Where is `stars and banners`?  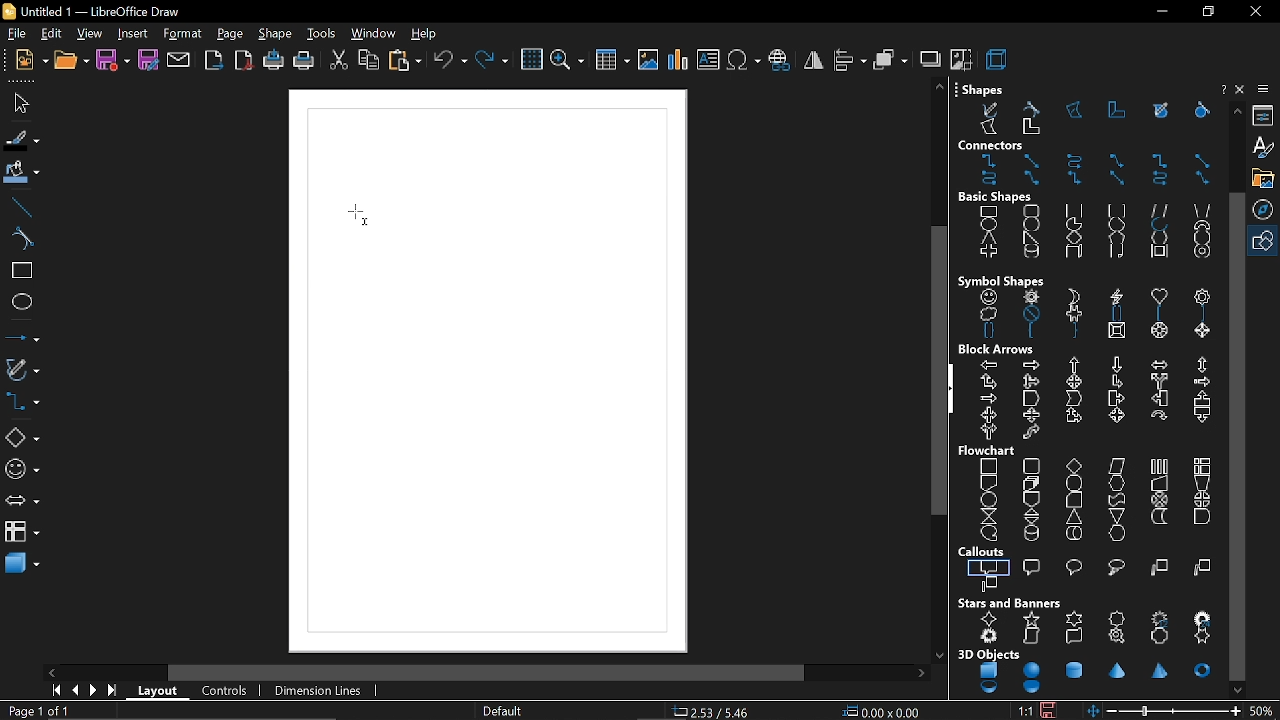 stars and banners is located at coordinates (1011, 603).